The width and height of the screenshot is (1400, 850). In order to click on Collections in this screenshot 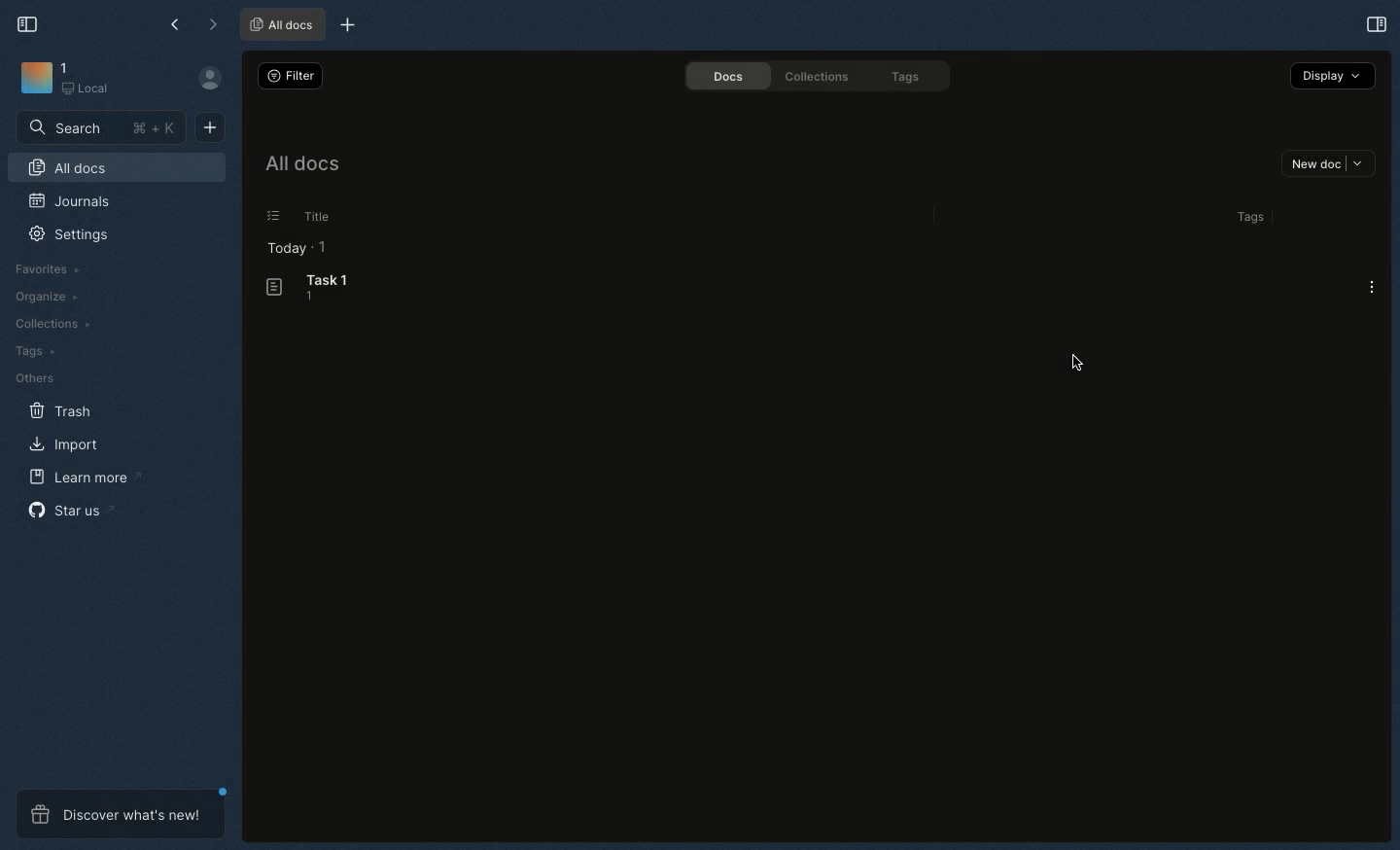, I will do `click(52, 326)`.